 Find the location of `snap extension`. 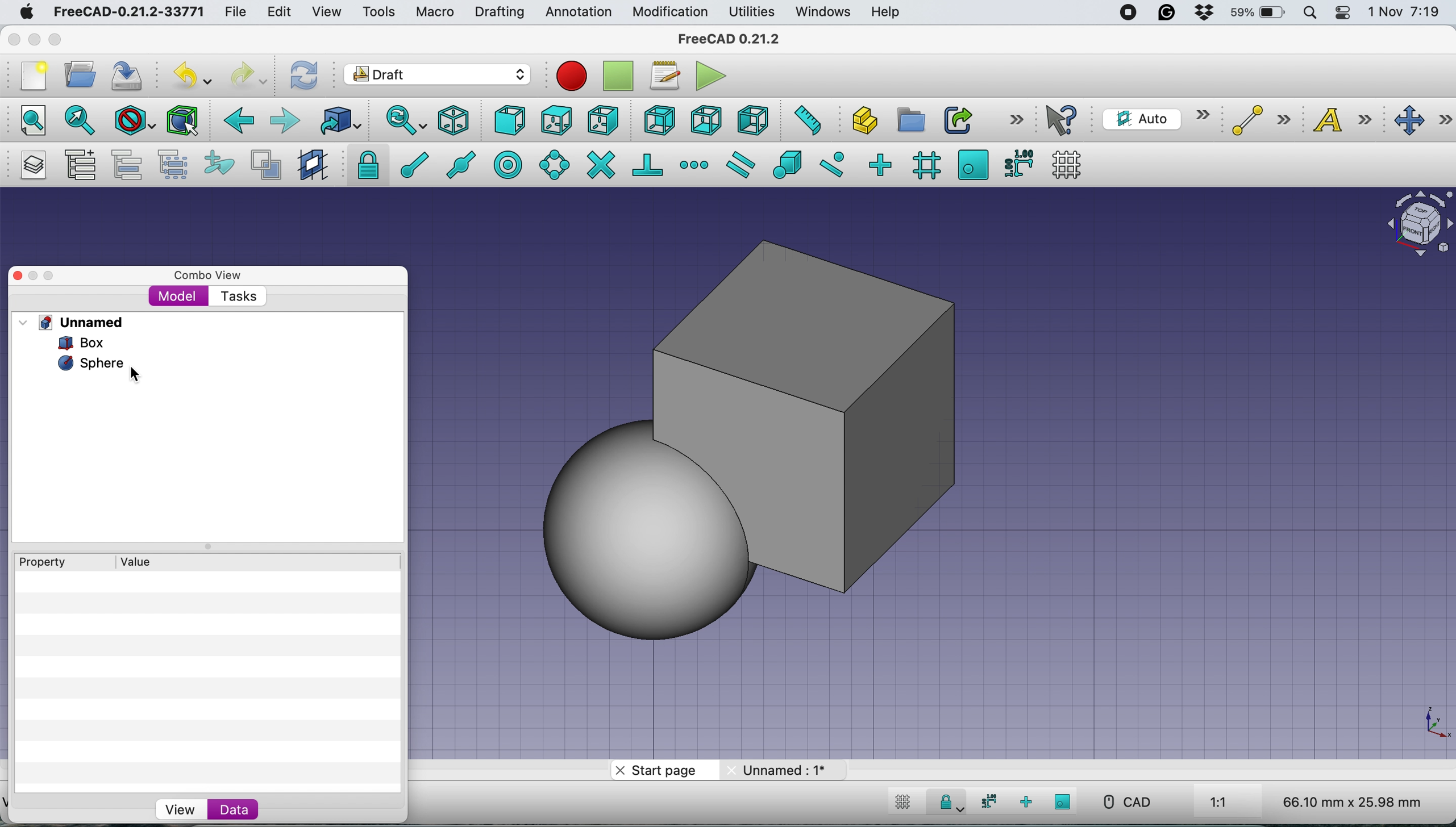

snap extension is located at coordinates (696, 165).